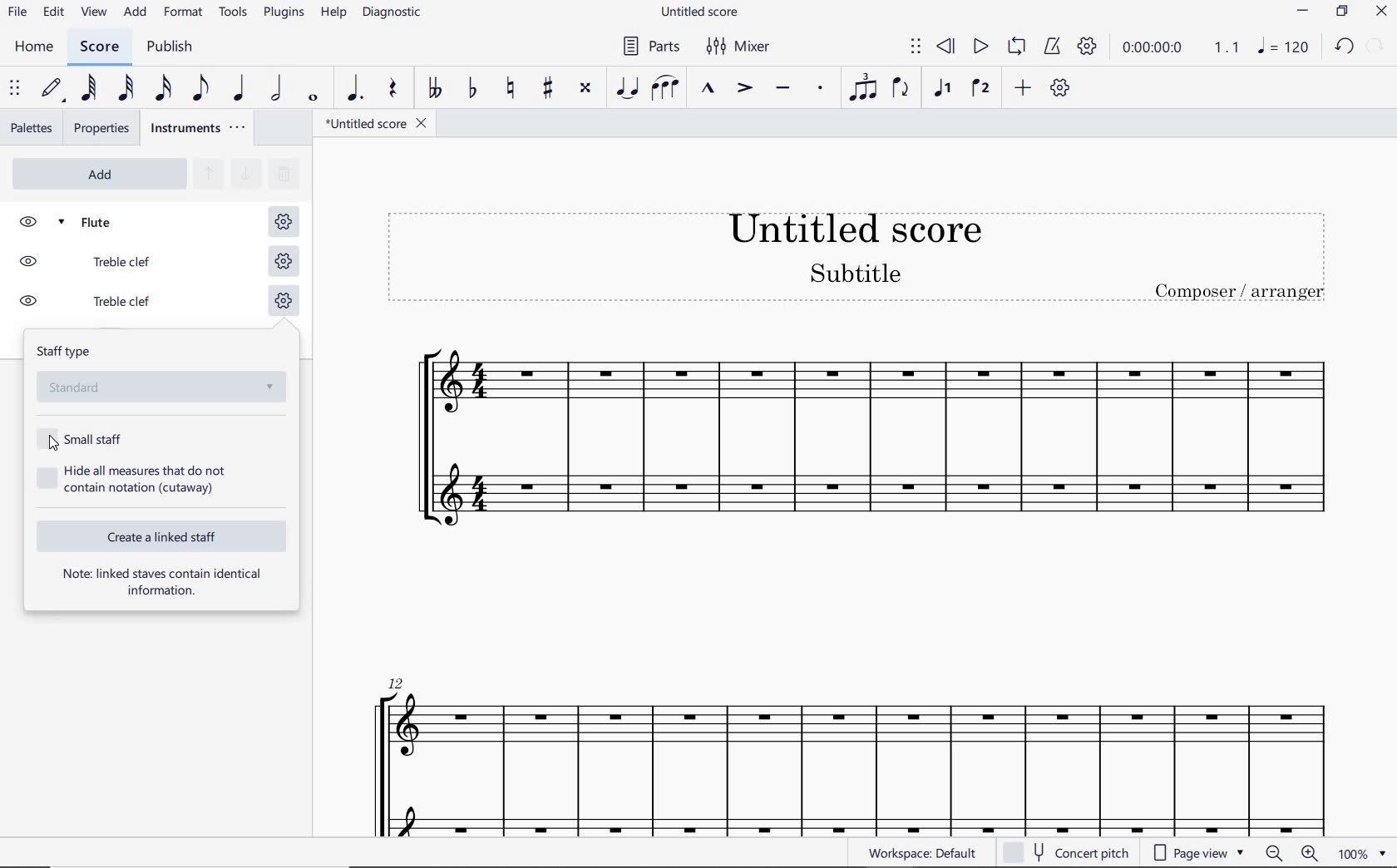  Describe the element at coordinates (99, 174) in the screenshot. I see `ADD` at that location.